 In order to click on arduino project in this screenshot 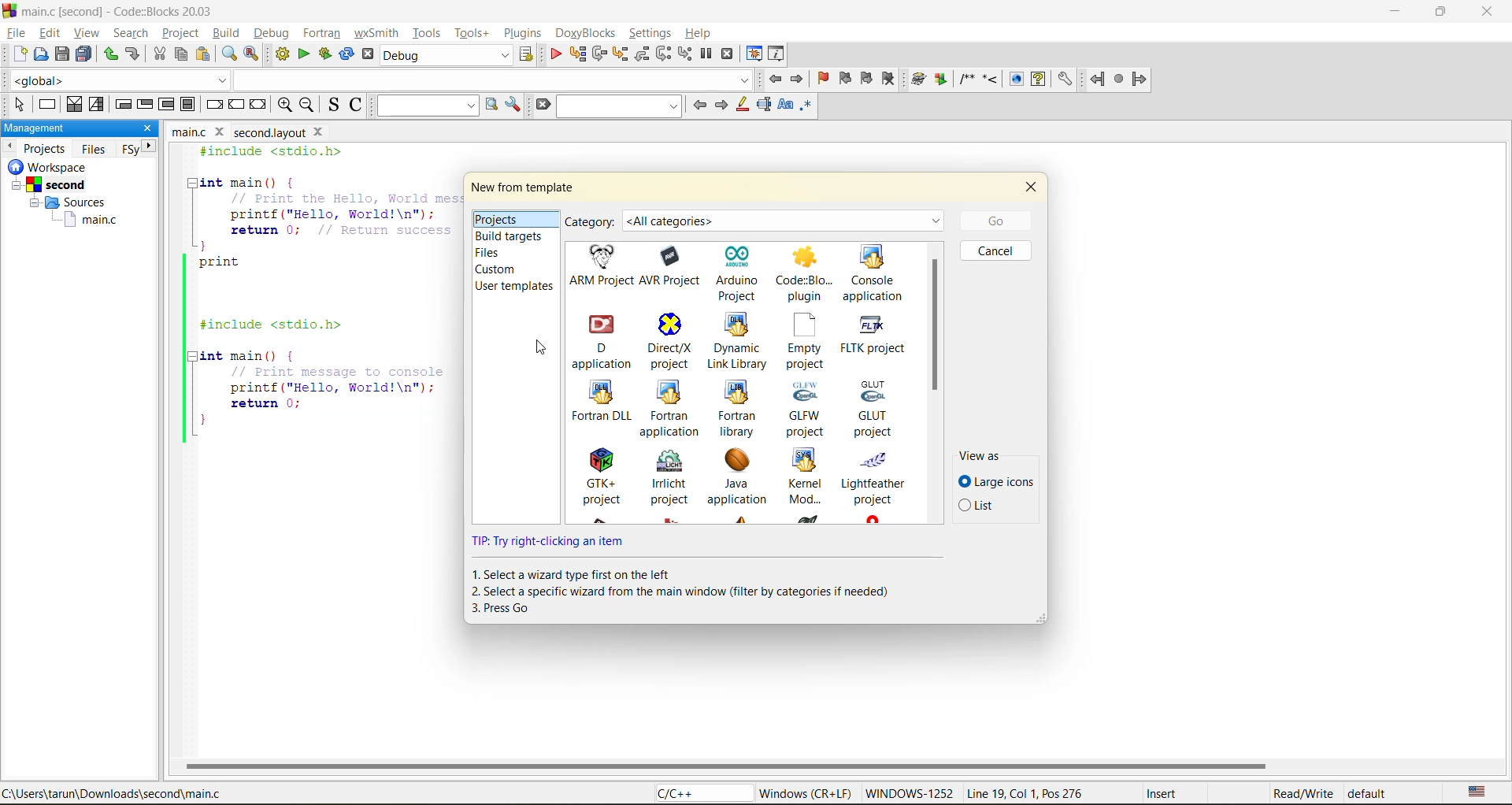, I will do `click(741, 271)`.